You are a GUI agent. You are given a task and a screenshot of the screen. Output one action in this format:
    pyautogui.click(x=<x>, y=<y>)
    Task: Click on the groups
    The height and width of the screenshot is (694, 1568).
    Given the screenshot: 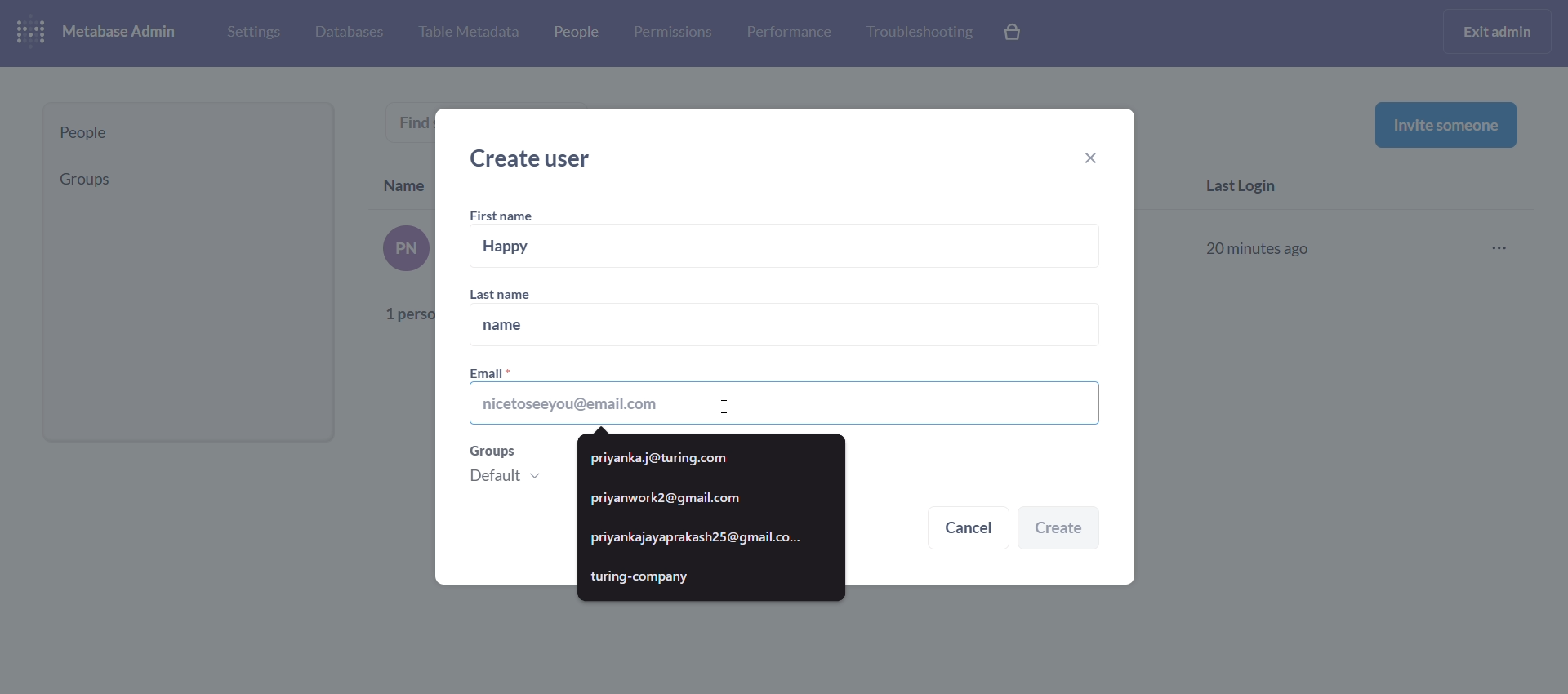 What is the action you would take?
    pyautogui.click(x=510, y=469)
    